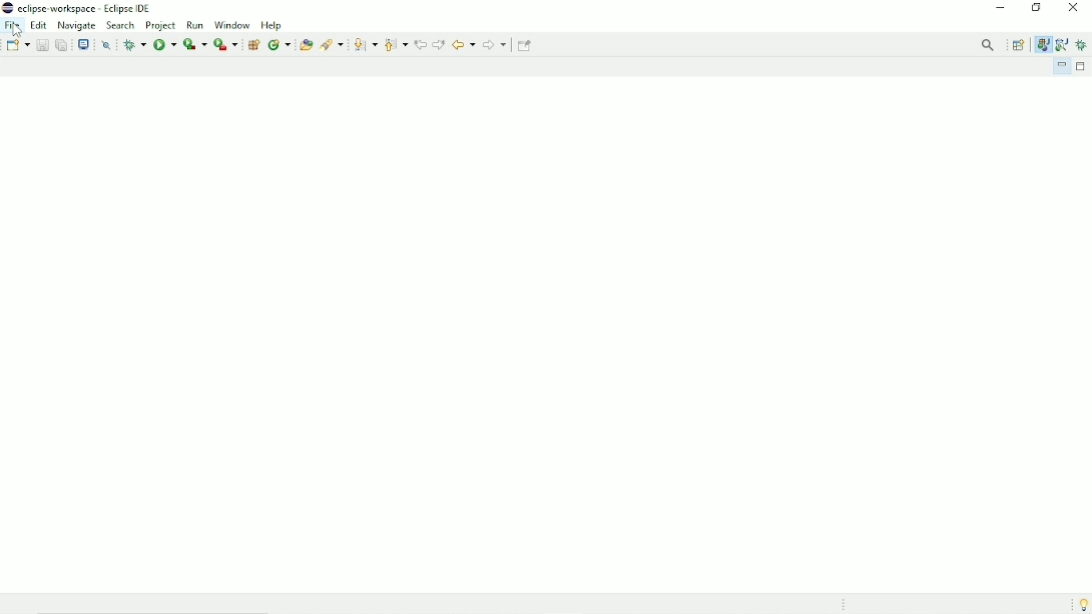 The image size is (1092, 614). I want to click on Search, so click(332, 43).